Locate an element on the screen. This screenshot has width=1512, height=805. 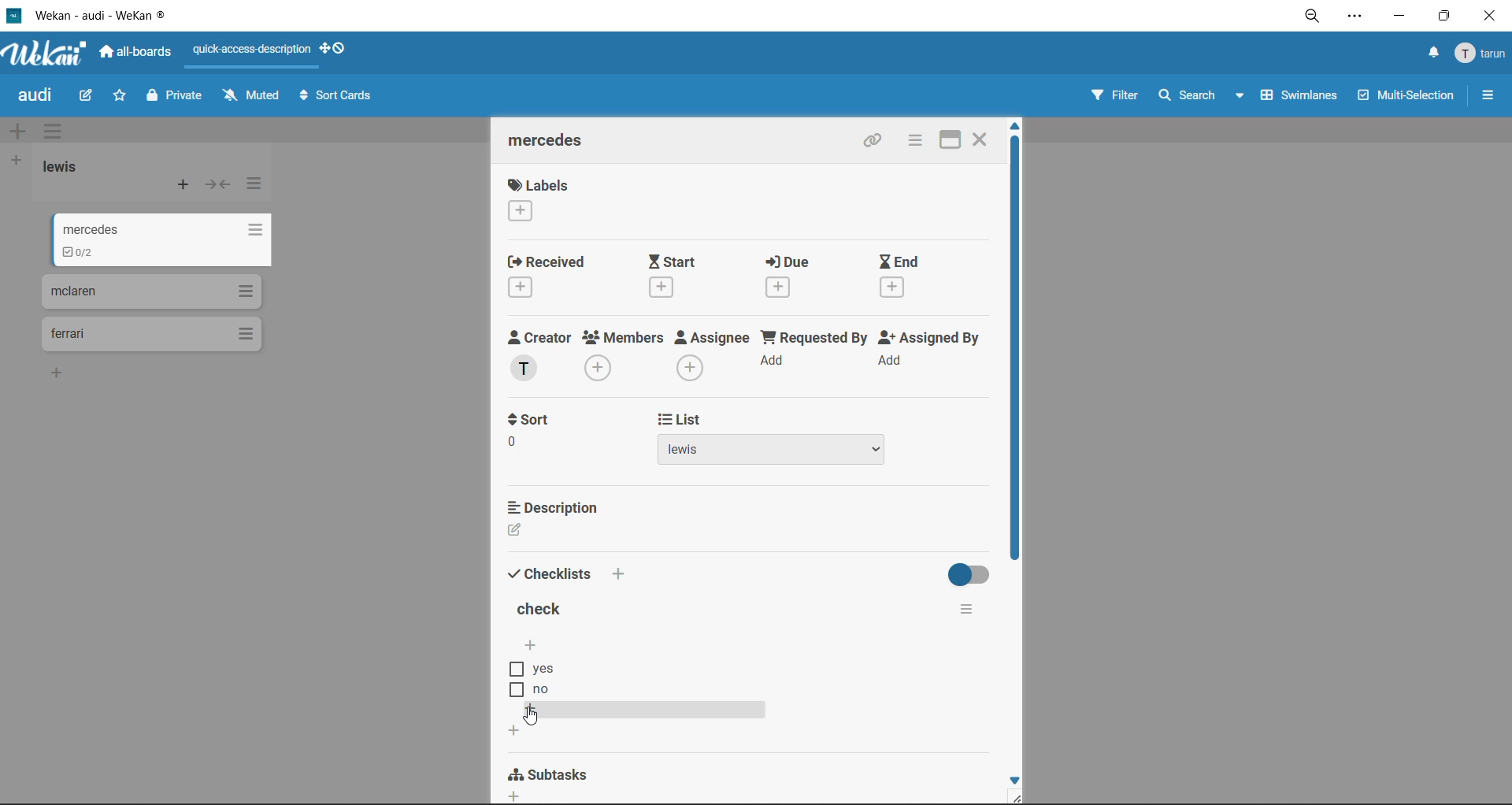
Add is located at coordinates (775, 361).